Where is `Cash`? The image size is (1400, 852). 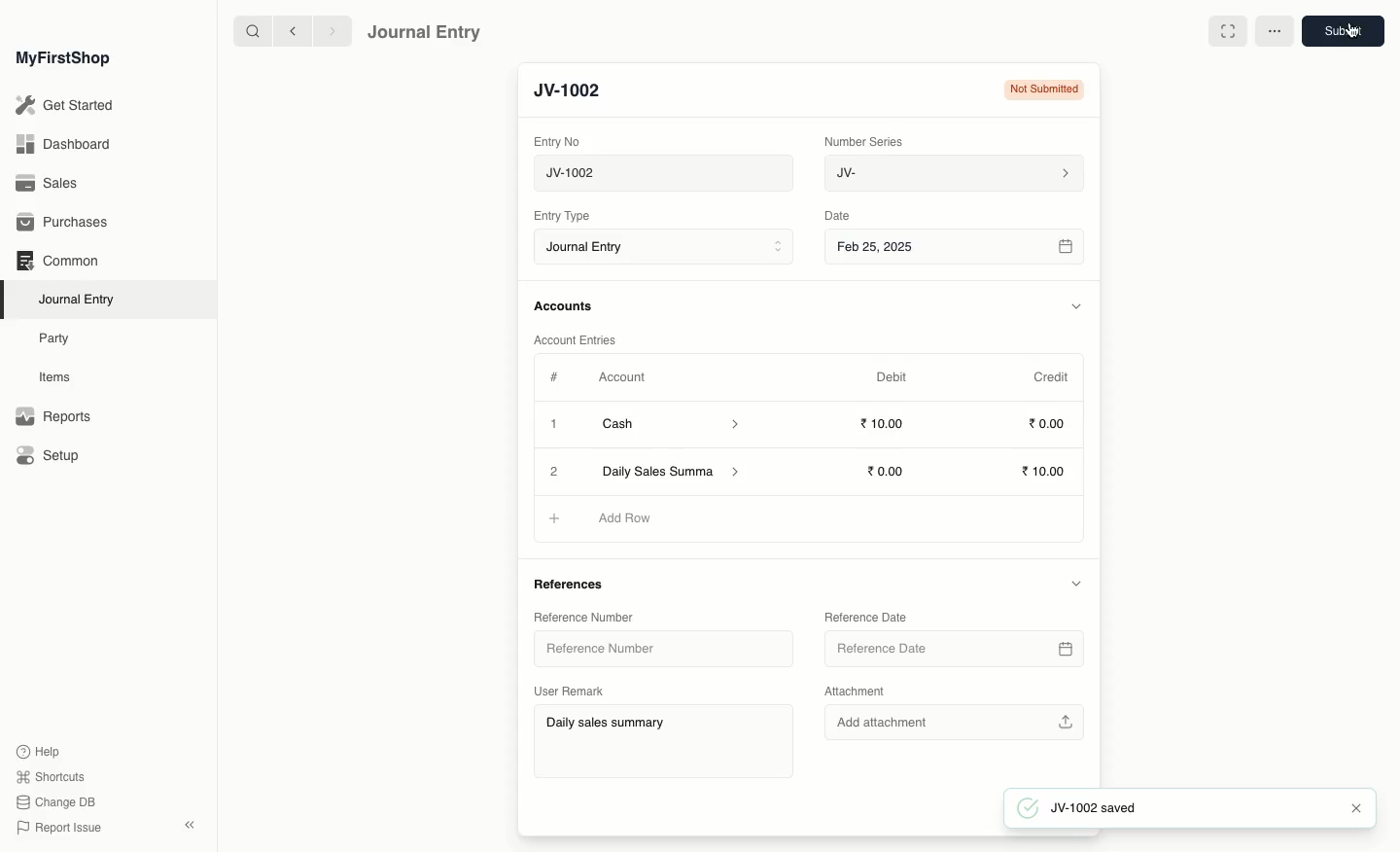 Cash is located at coordinates (670, 424).